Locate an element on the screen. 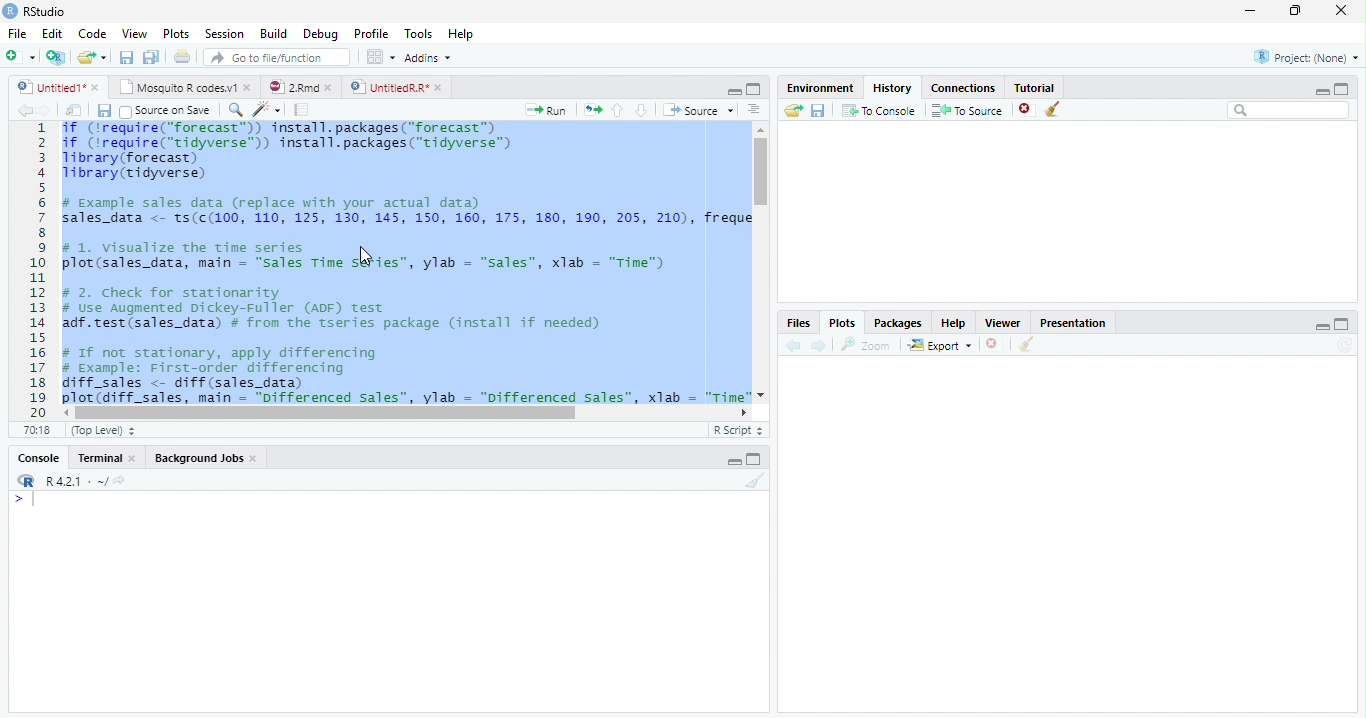 Image resolution: width=1366 pixels, height=718 pixels. Show in new window is located at coordinates (74, 110).